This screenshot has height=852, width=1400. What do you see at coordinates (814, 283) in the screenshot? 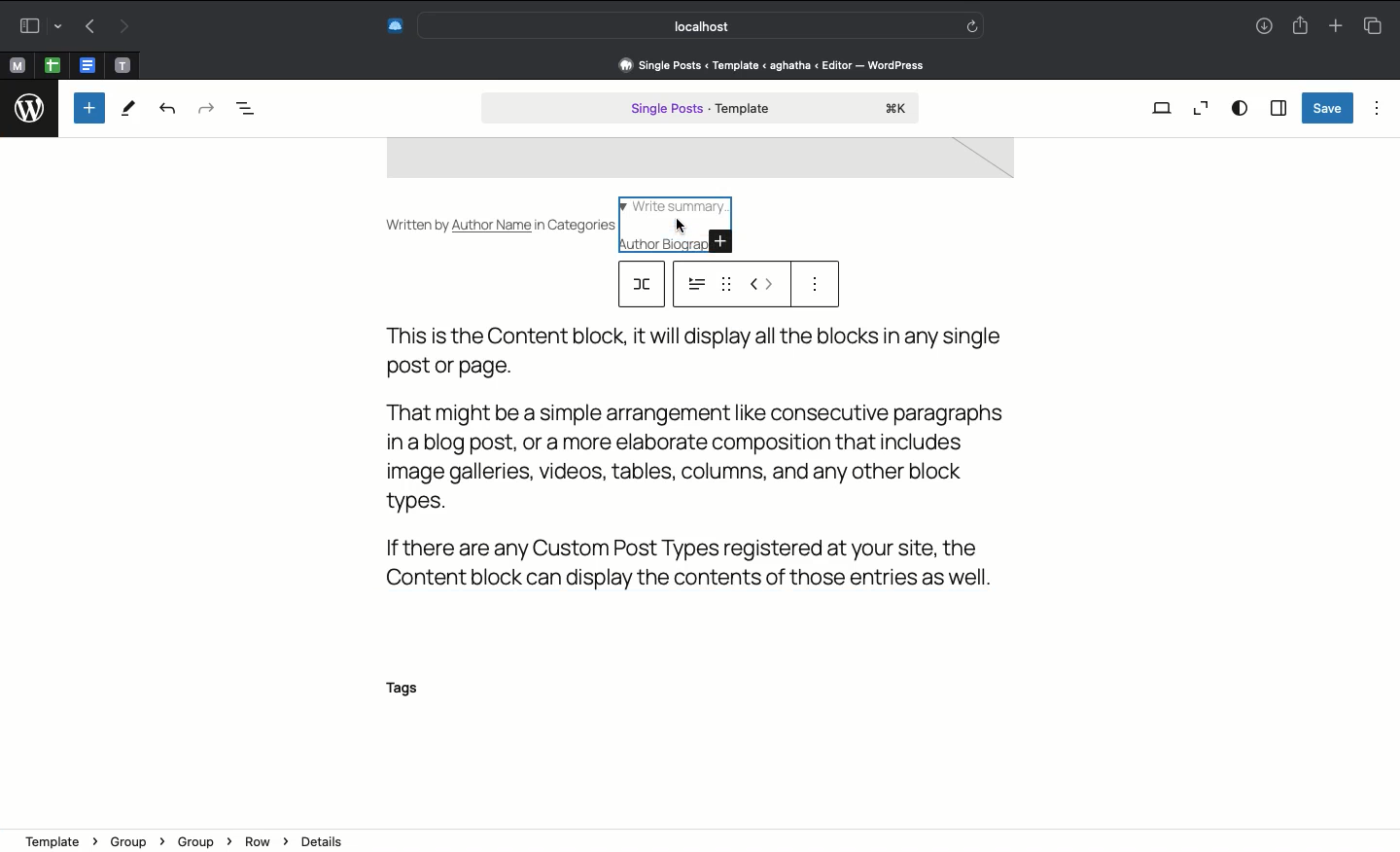
I see `Options` at bounding box center [814, 283].